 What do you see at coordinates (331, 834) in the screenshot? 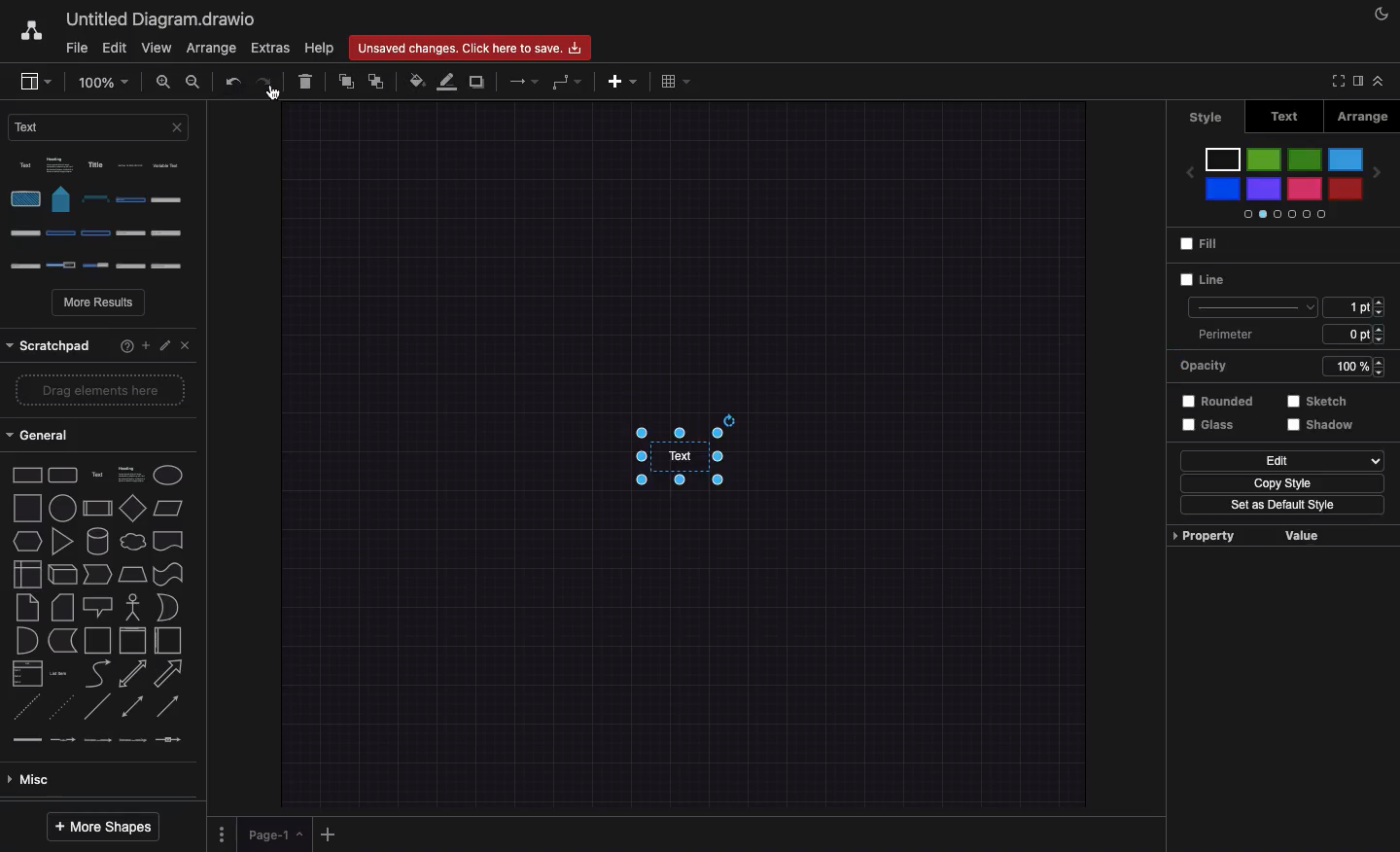
I see `Add` at bounding box center [331, 834].